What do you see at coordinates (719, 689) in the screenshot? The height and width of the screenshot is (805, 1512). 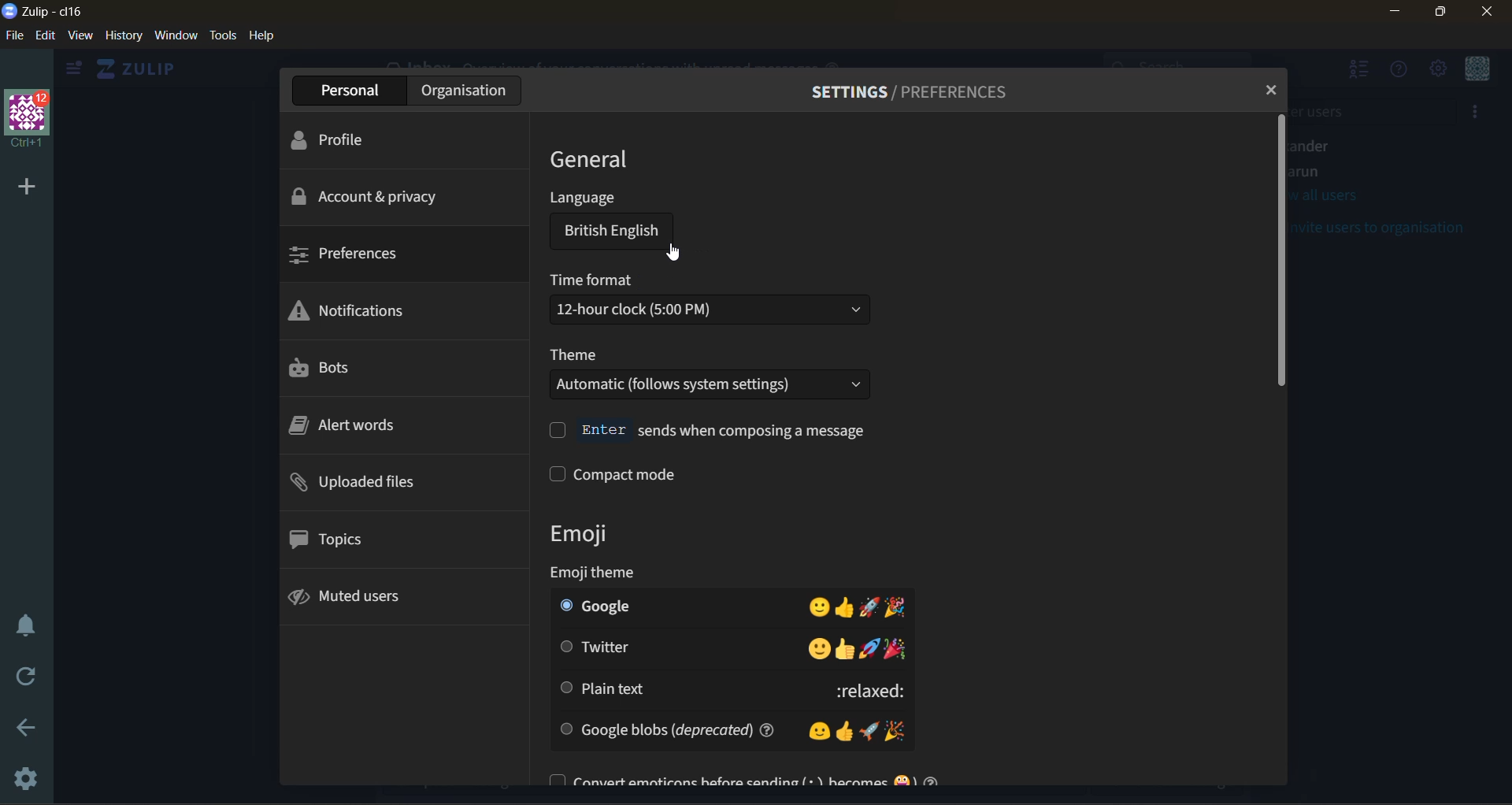 I see `plain text` at bounding box center [719, 689].